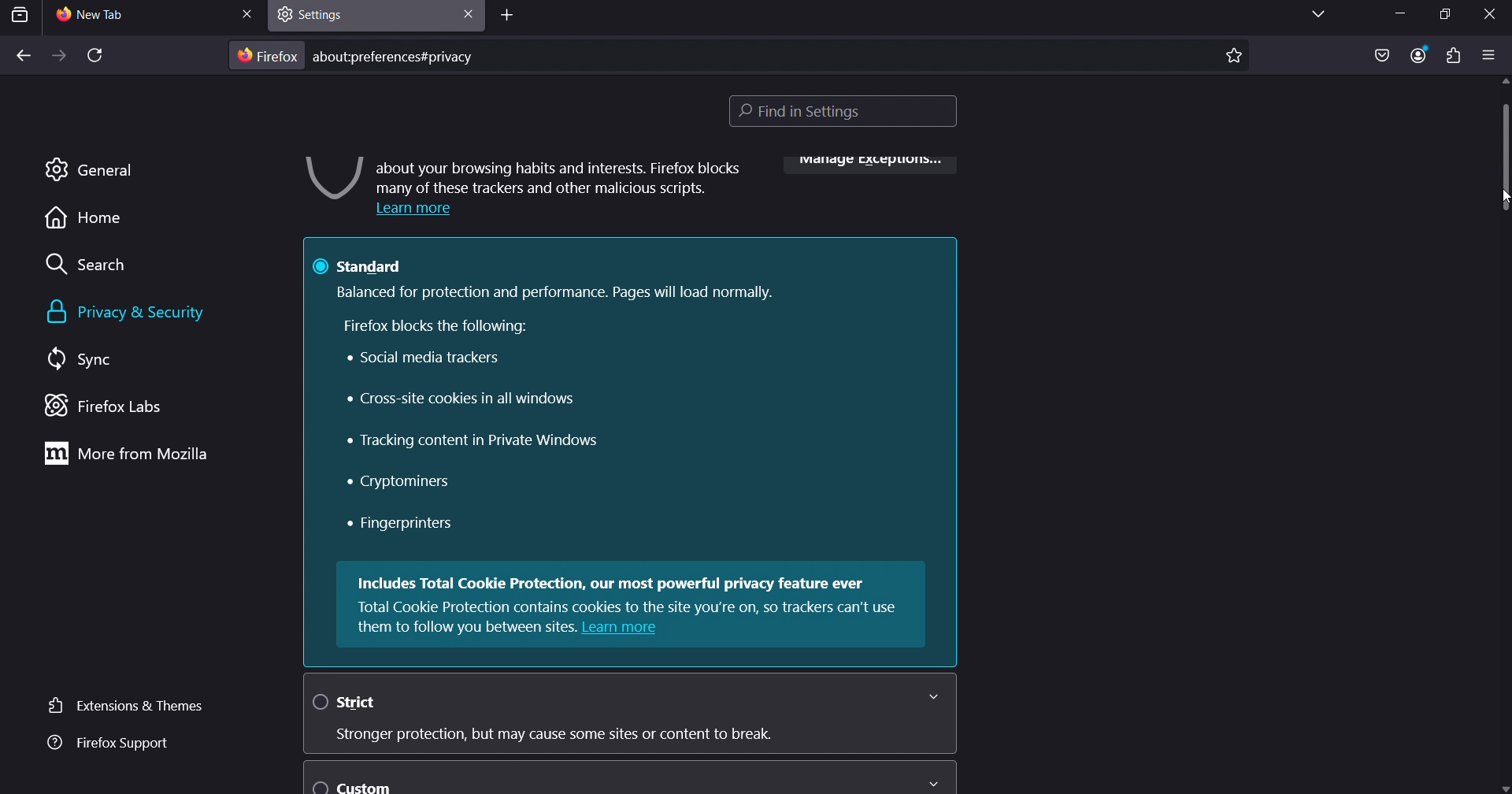  What do you see at coordinates (1492, 13) in the screenshot?
I see `close` at bounding box center [1492, 13].